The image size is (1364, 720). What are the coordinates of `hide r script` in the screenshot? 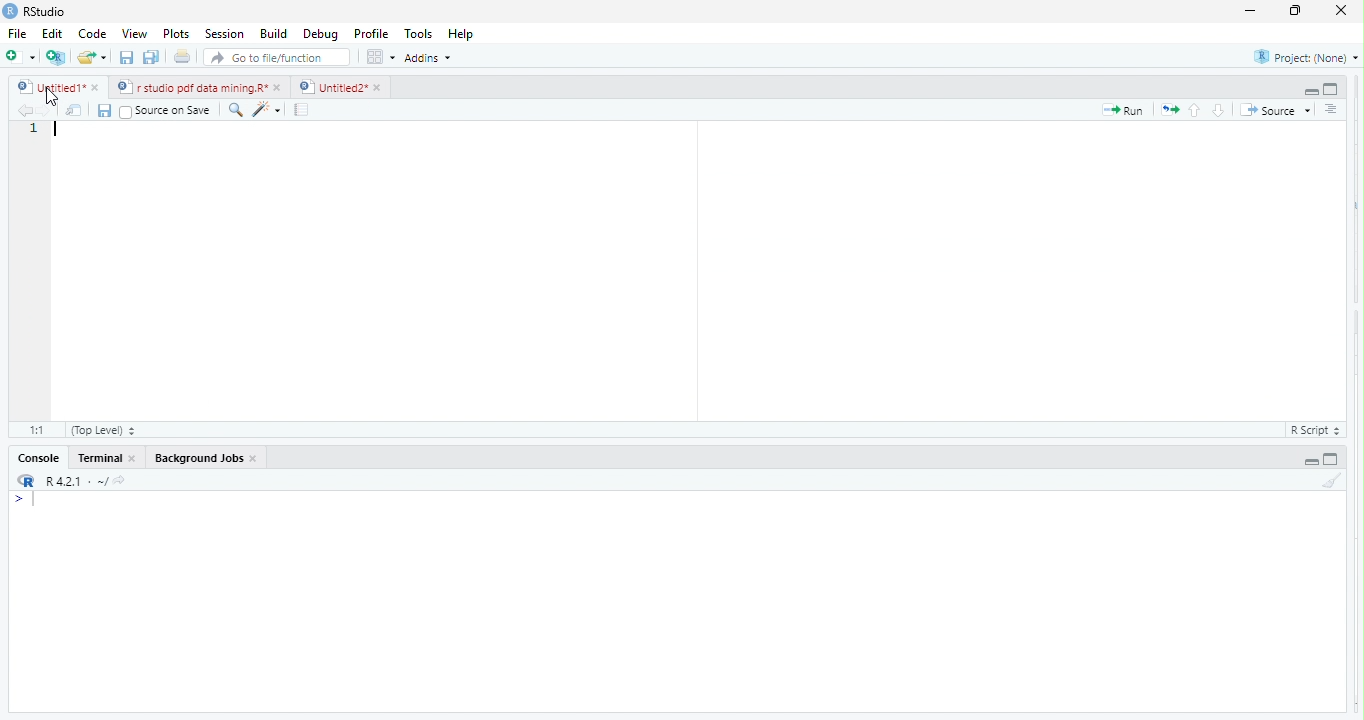 It's located at (1309, 89).